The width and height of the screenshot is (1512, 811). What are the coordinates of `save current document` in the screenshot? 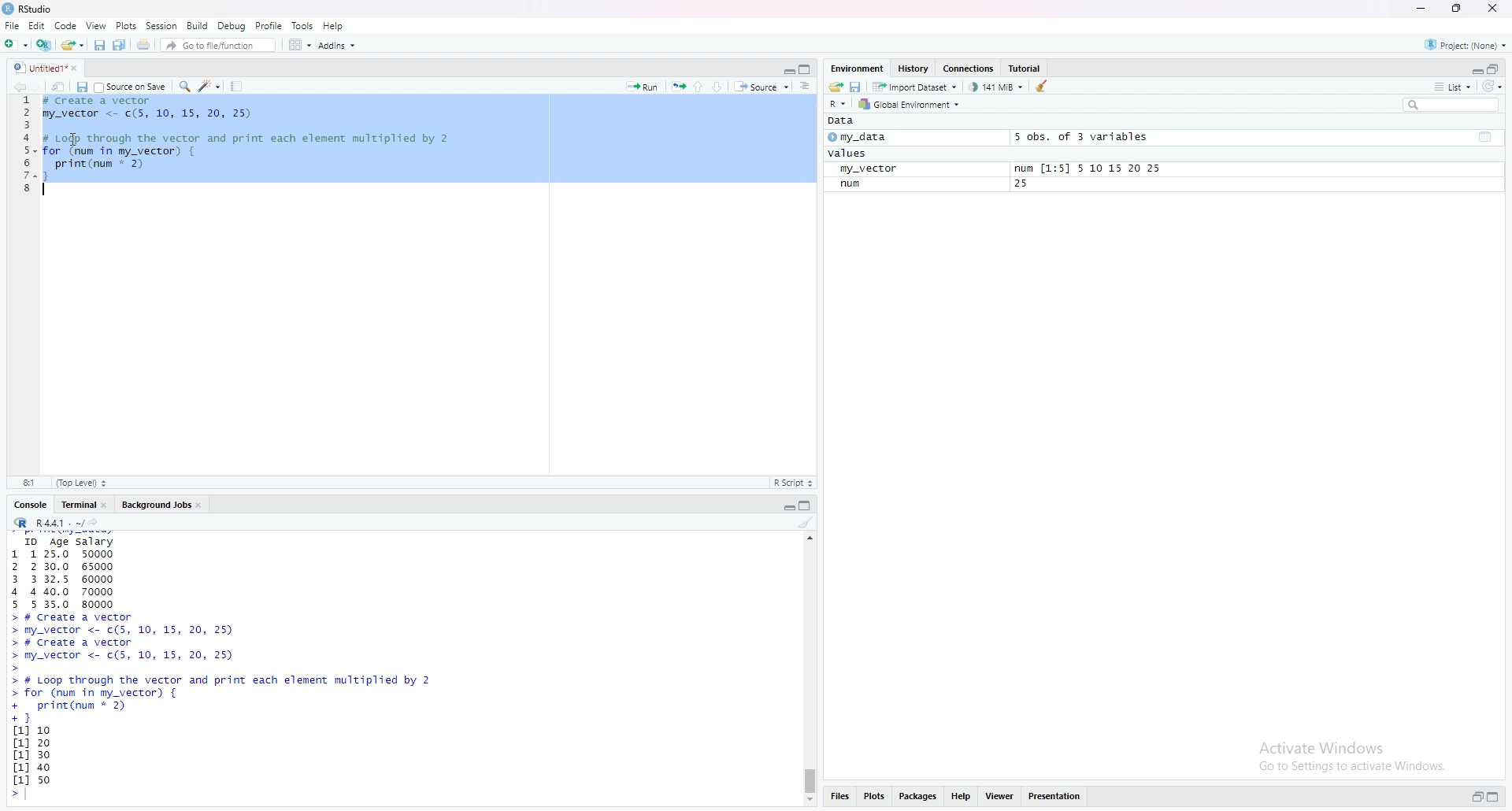 It's located at (98, 46).